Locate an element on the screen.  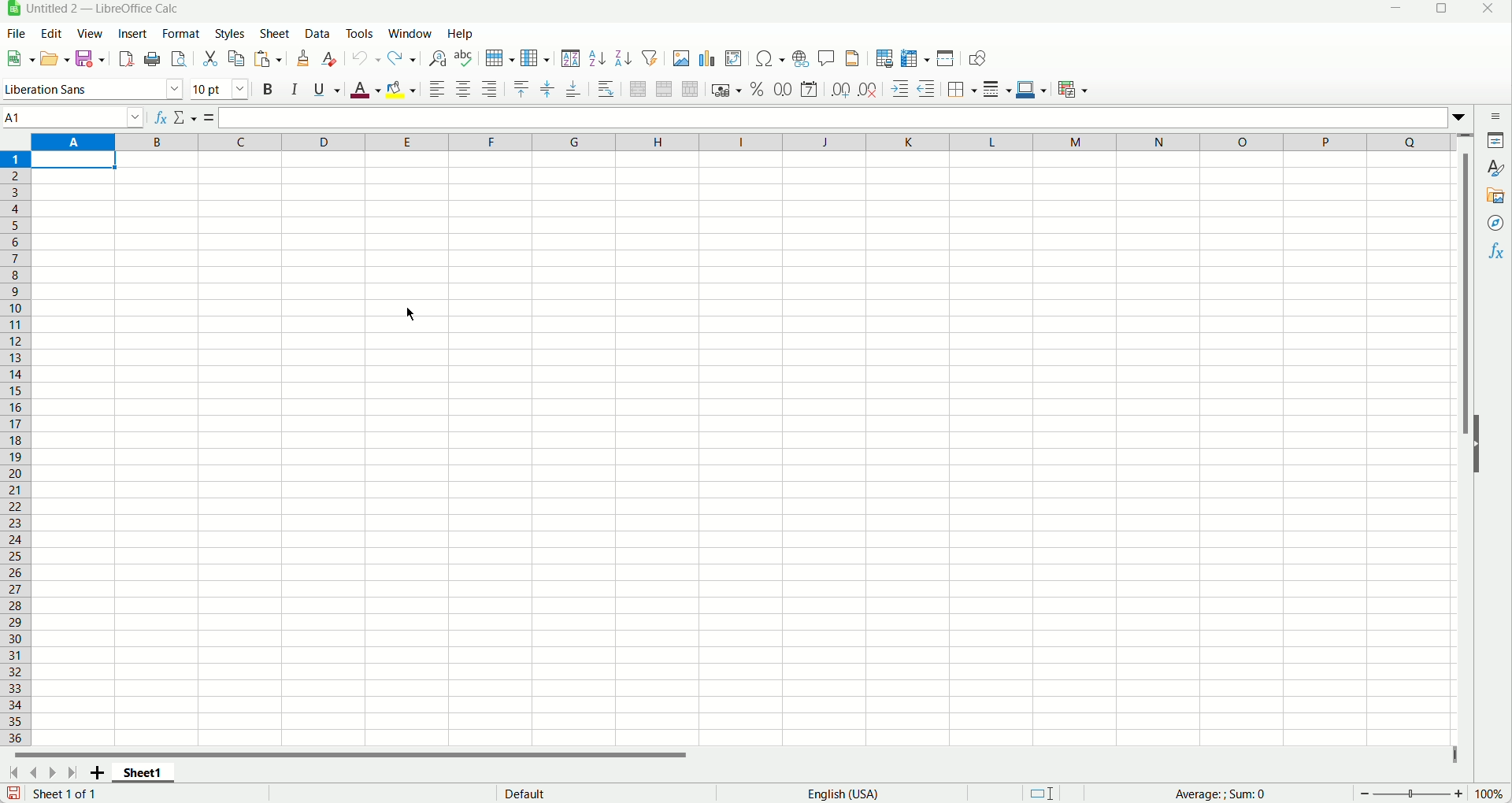
Clear direct formatting is located at coordinates (330, 59).